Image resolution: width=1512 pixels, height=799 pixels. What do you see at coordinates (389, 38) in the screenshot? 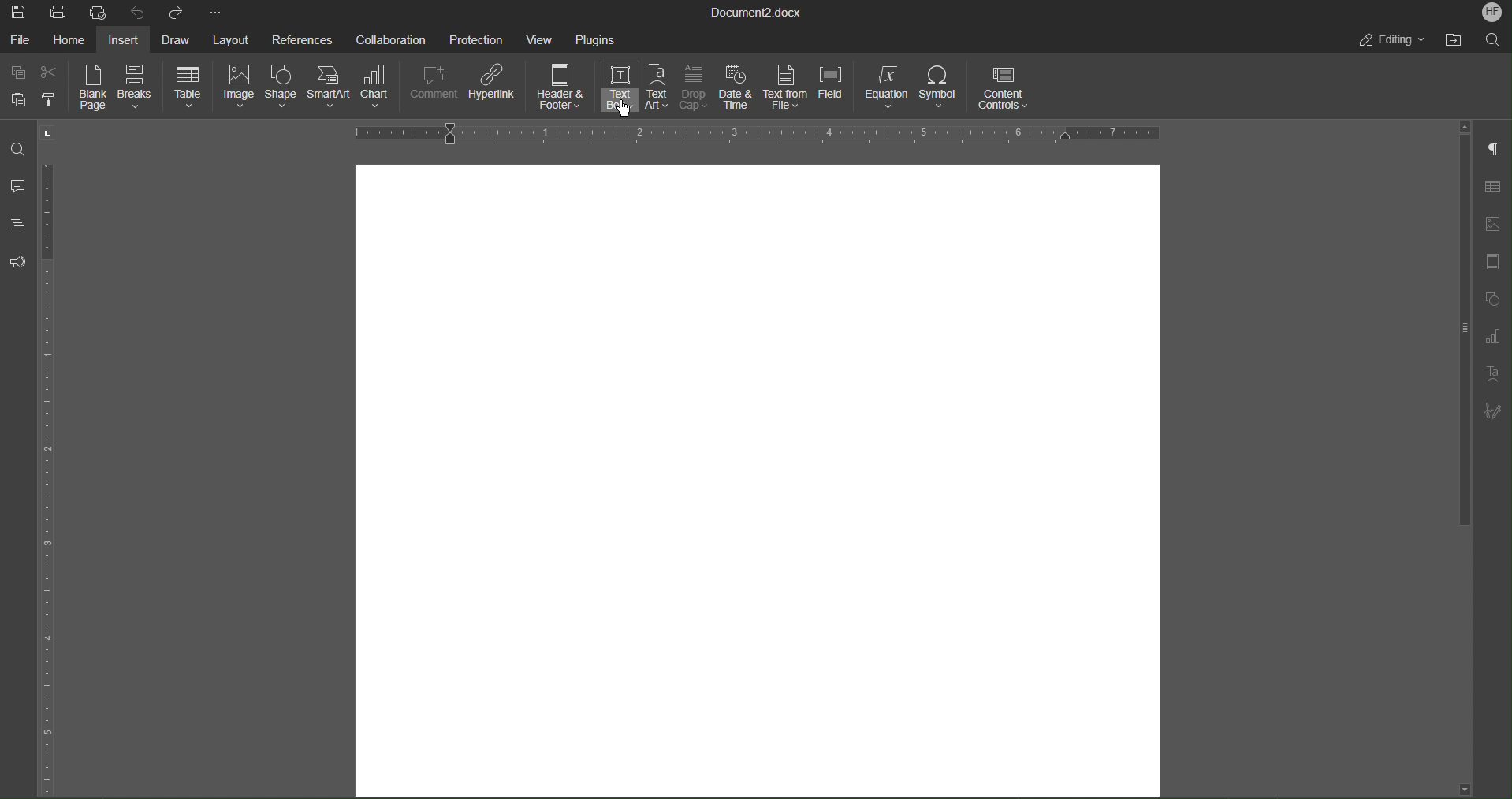
I see `Collaboration` at bounding box center [389, 38].